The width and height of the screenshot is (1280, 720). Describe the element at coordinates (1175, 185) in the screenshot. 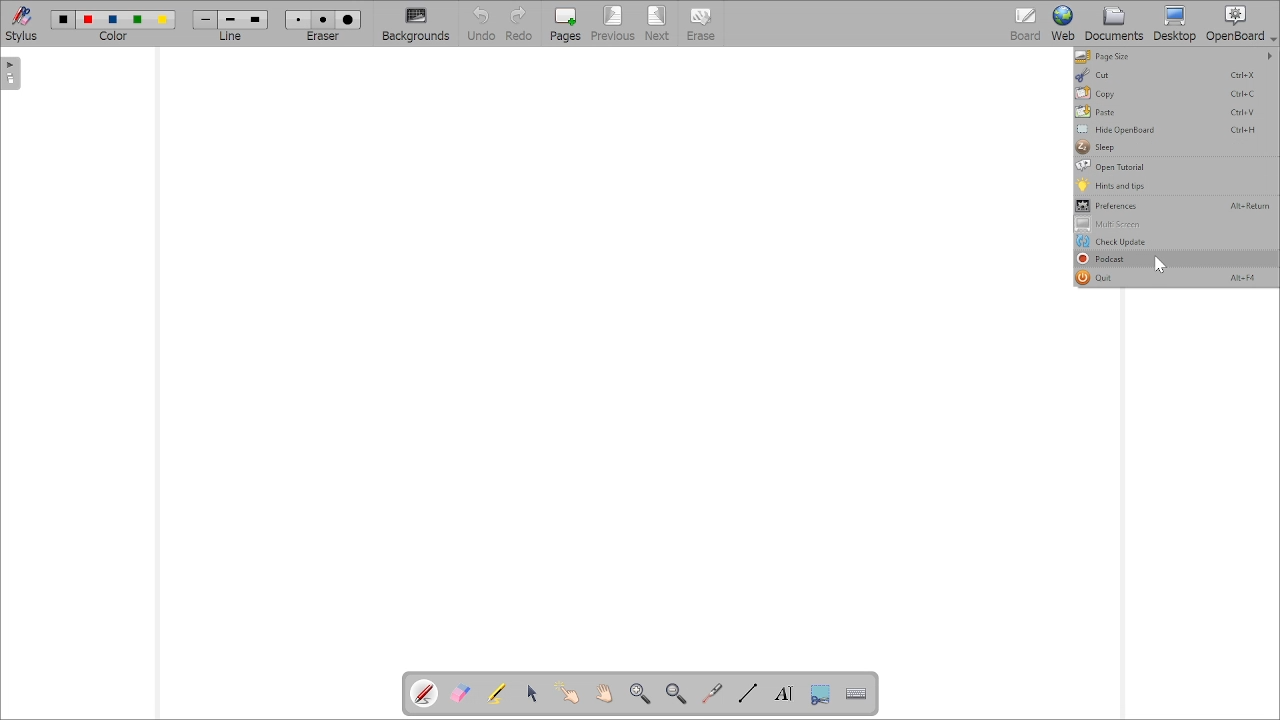

I see `Hints and tips` at that location.